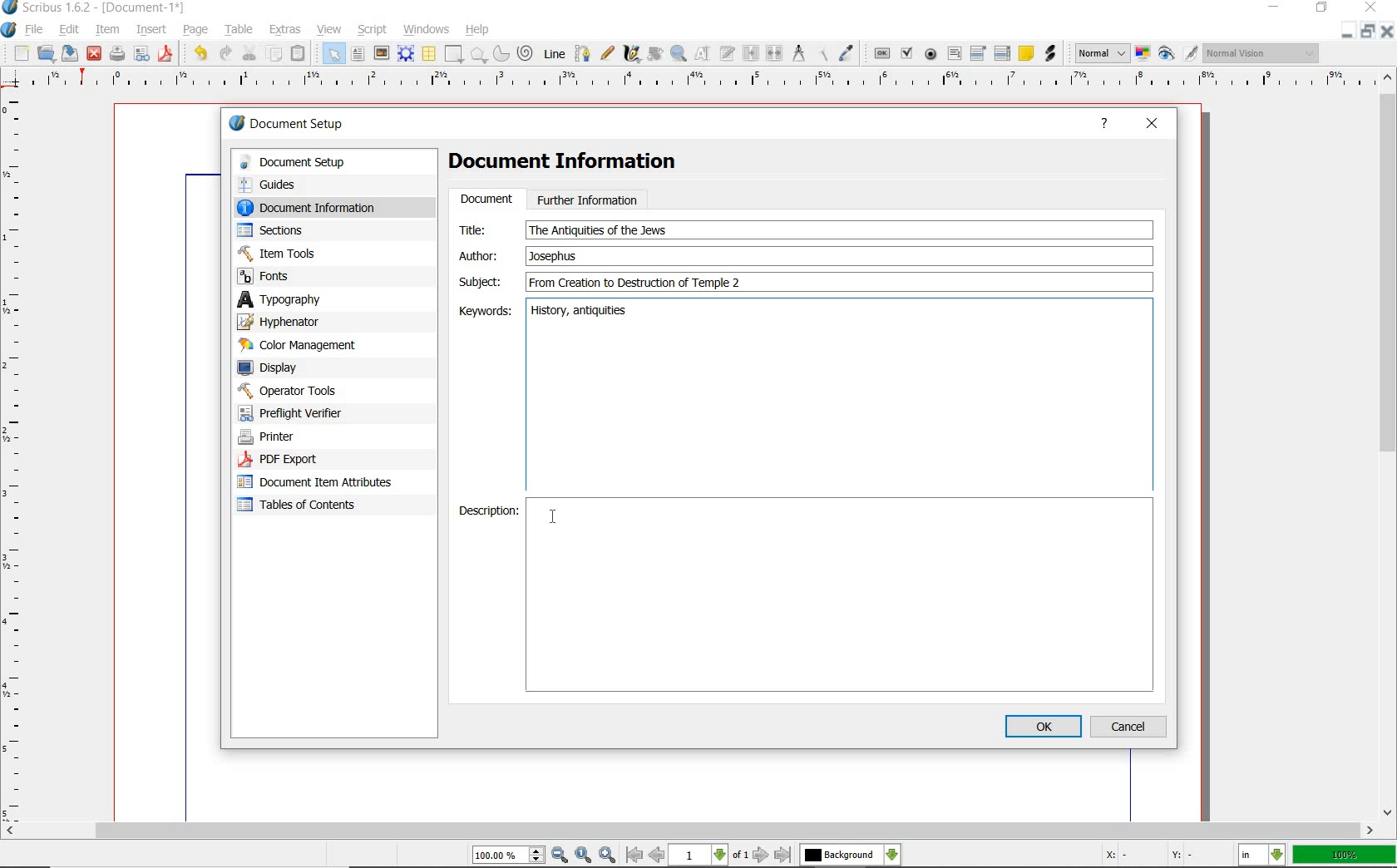  What do you see at coordinates (847, 52) in the screenshot?
I see `eye dropper` at bounding box center [847, 52].